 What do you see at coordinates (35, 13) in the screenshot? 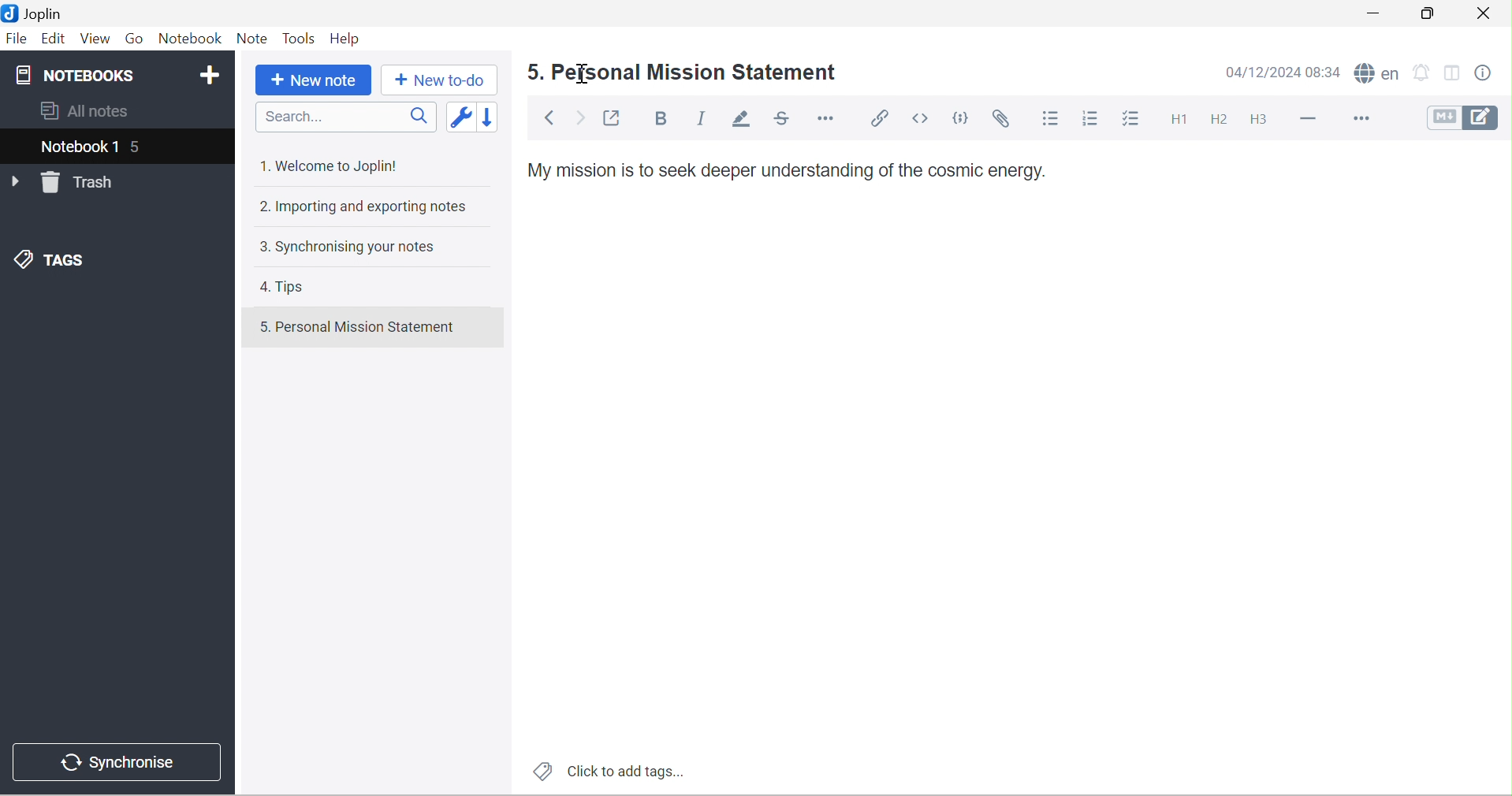
I see `Joplin` at bounding box center [35, 13].